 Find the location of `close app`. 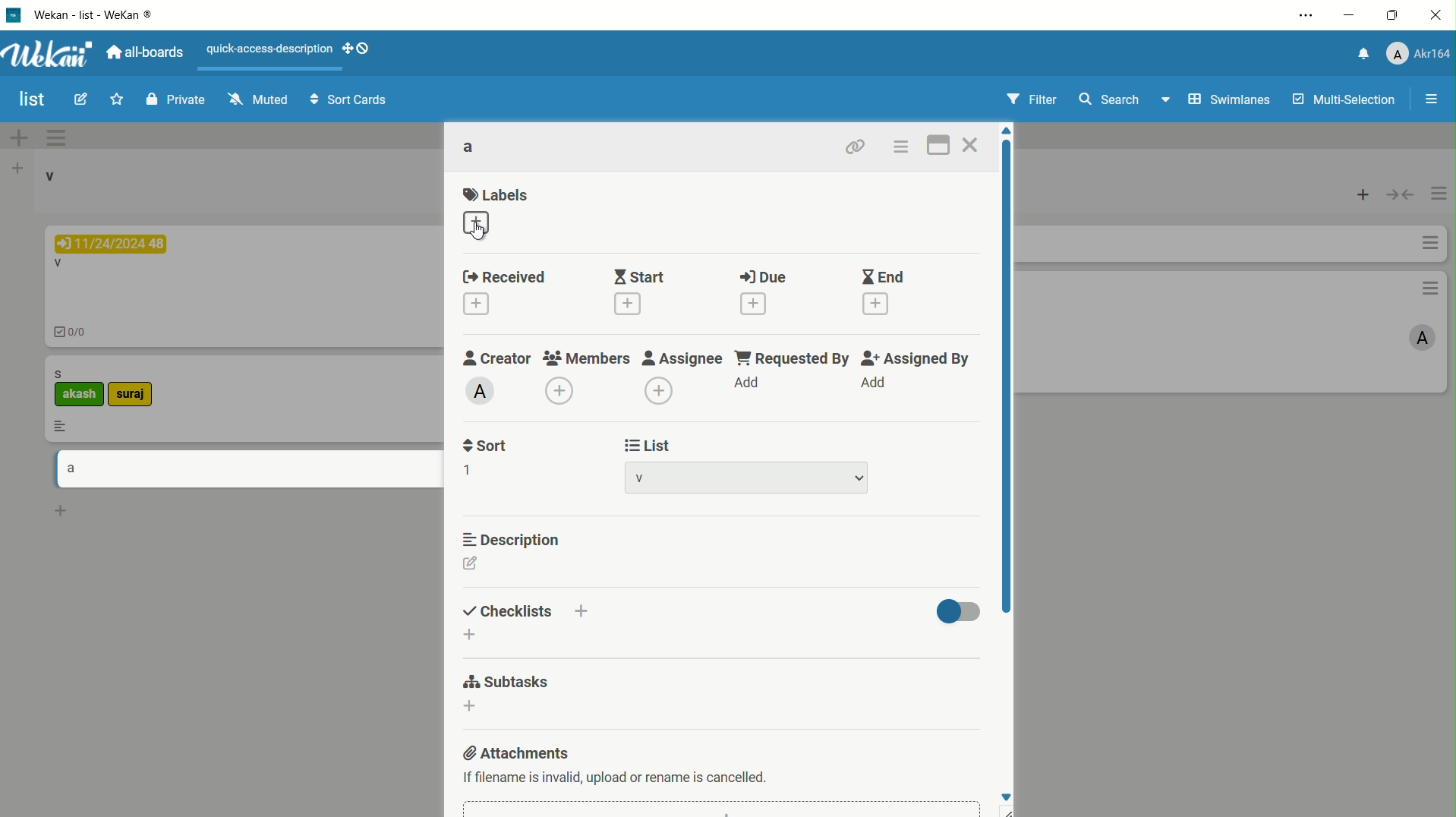

close app is located at coordinates (1437, 18).